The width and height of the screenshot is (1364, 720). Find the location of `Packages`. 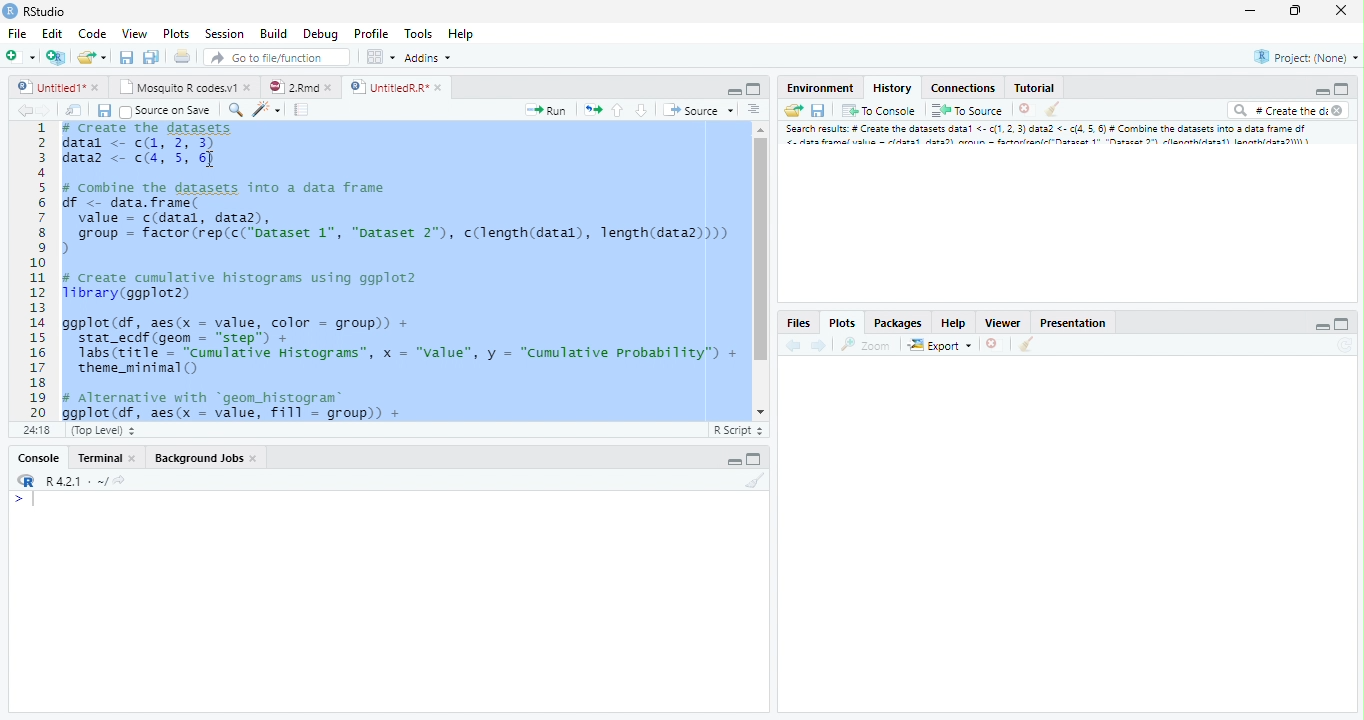

Packages is located at coordinates (898, 321).